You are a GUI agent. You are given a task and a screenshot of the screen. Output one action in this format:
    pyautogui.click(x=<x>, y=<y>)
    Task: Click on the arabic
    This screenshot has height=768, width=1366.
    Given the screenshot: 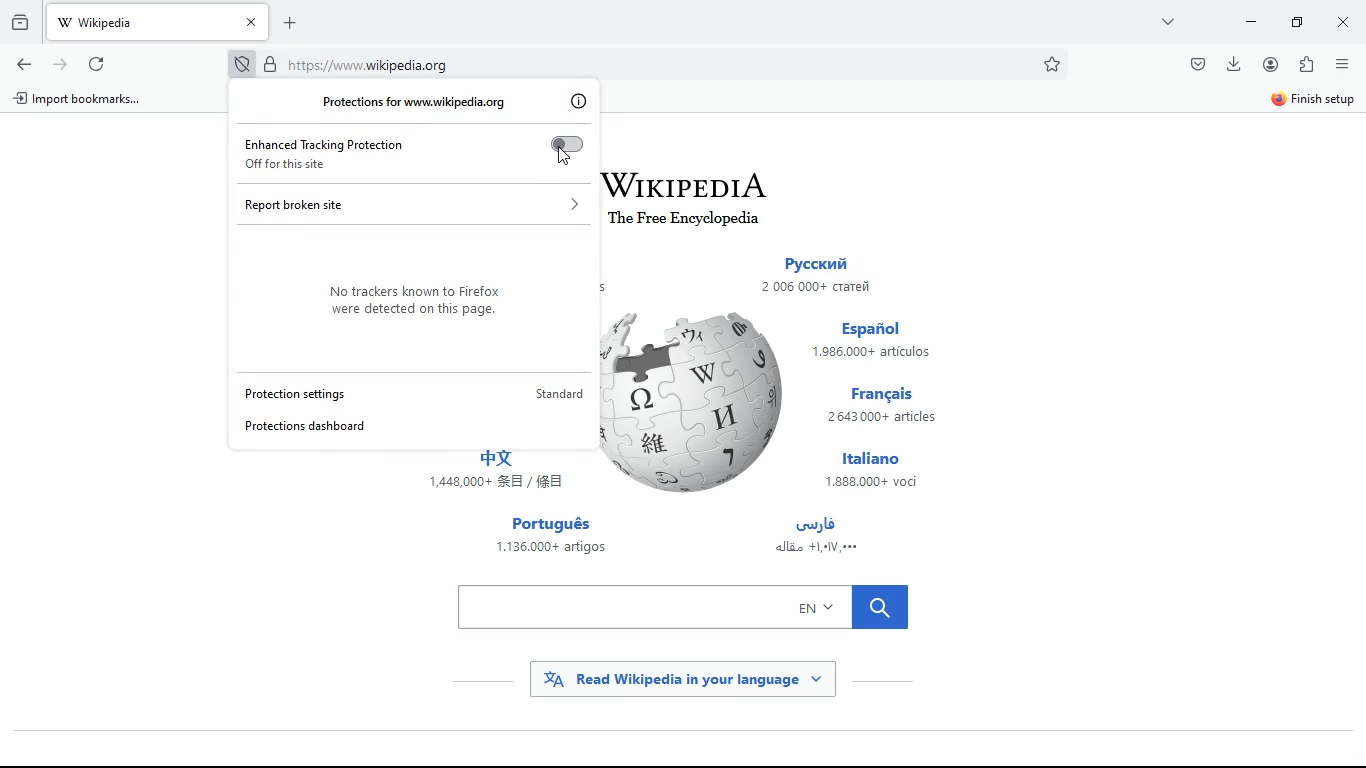 What is the action you would take?
    pyautogui.click(x=828, y=541)
    